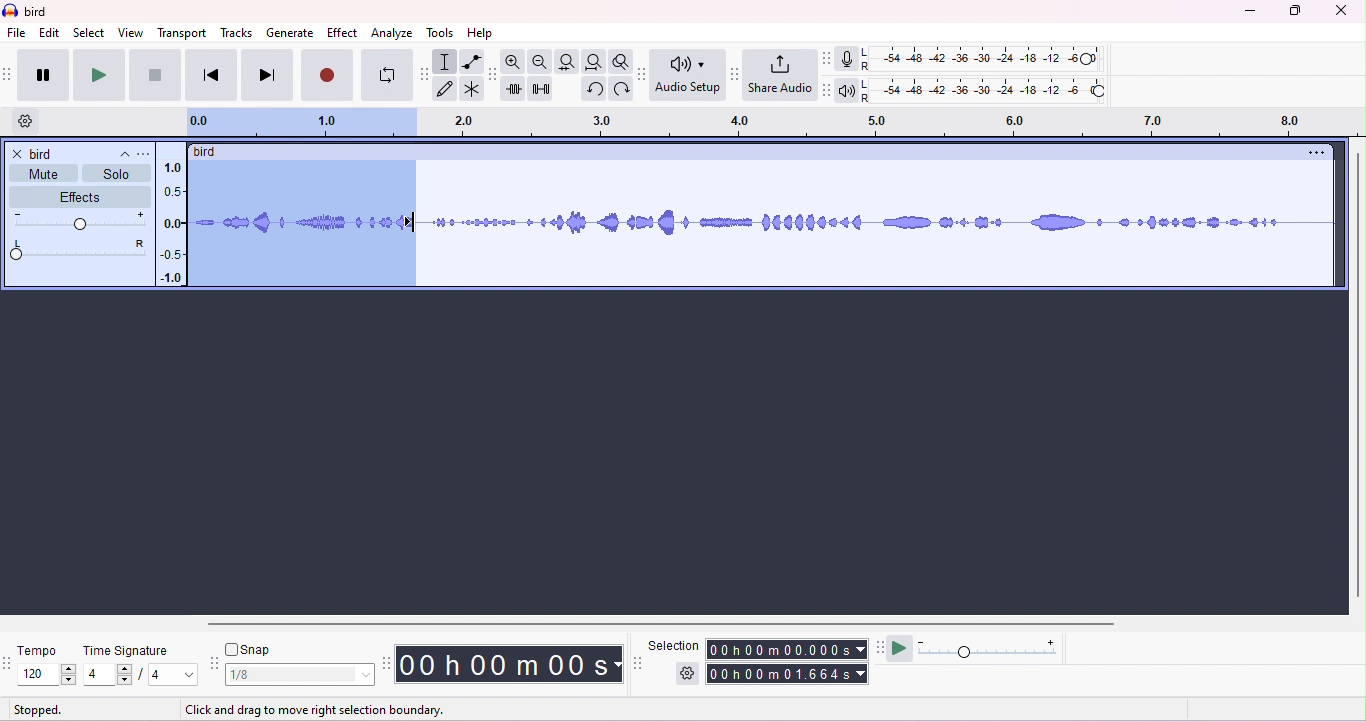 This screenshot has height=722, width=1366. What do you see at coordinates (640, 663) in the screenshot?
I see `selection tool` at bounding box center [640, 663].